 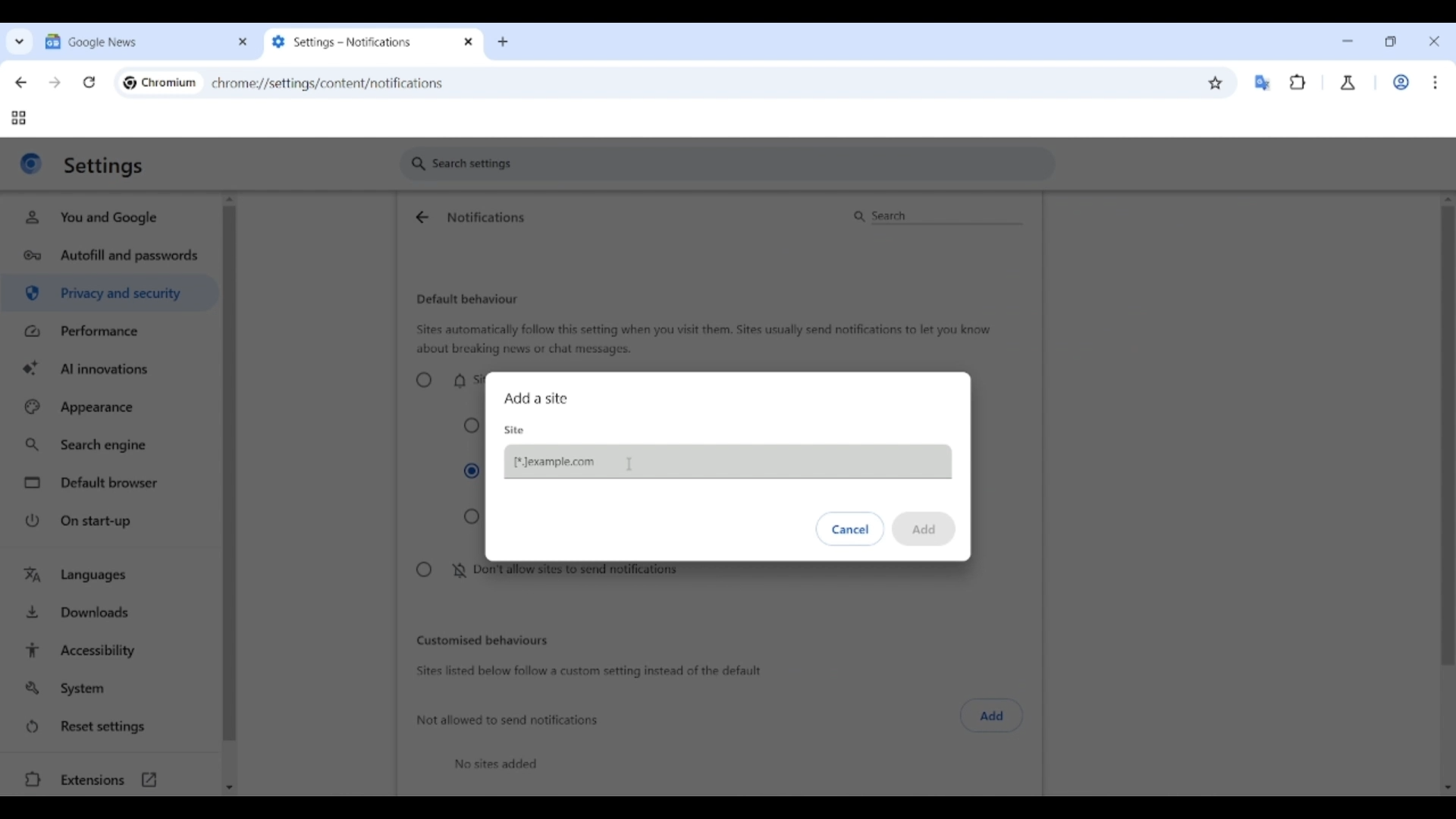 I want to click on Performance , so click(x=109, y=331).